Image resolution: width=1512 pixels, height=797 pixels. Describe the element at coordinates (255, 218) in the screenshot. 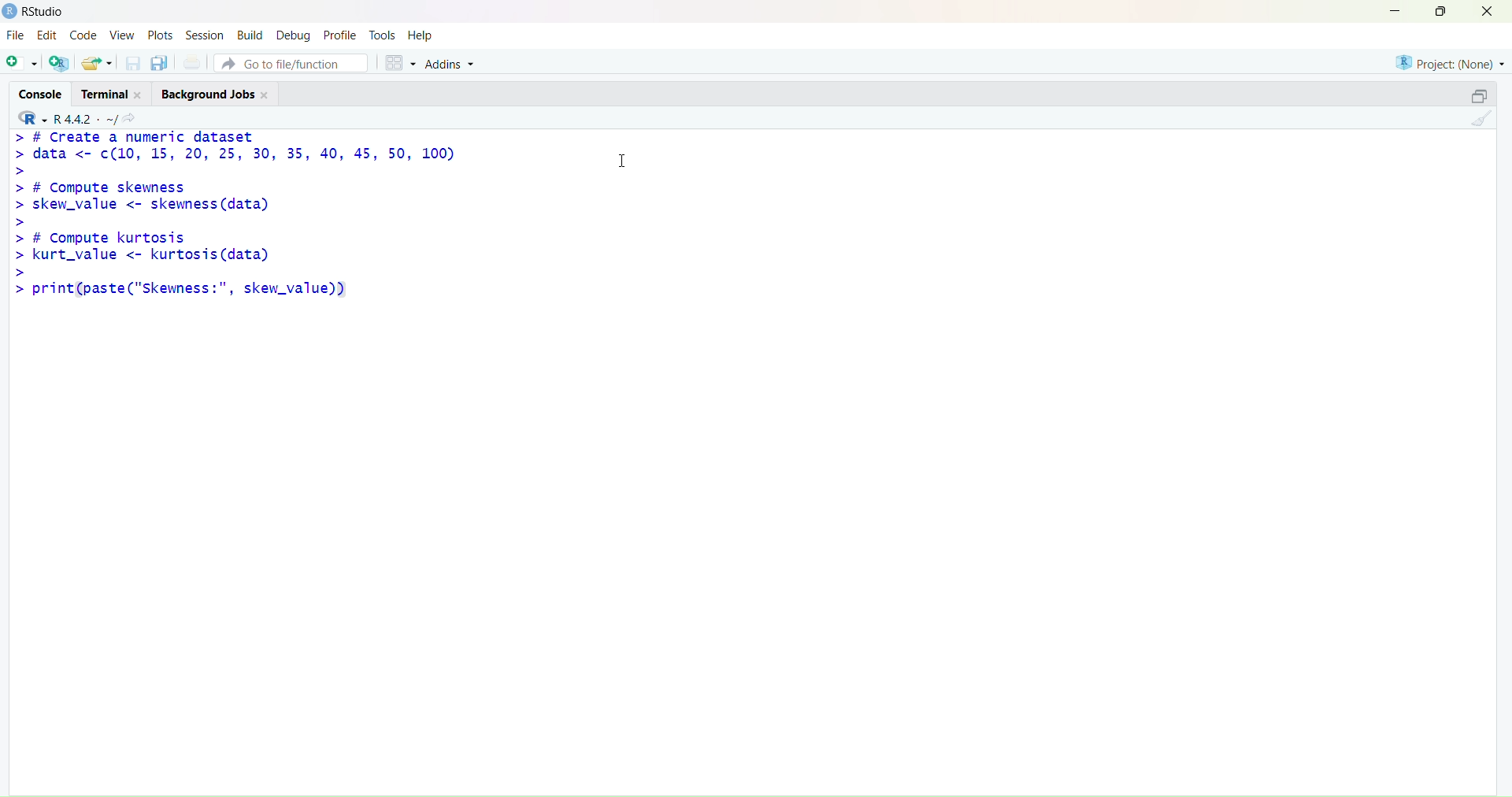

I see `2 # LIEalE a liulel ic dataset
> data <- c(10, 15, 20, 25, 30, 35, 40, 45, 50, 100)
>
> # Compute skewness
> skew_value <- skewness (data)
>
> # Compute kurtosis
> kurt_value <- kurtosis(data)
>
.` at that location.